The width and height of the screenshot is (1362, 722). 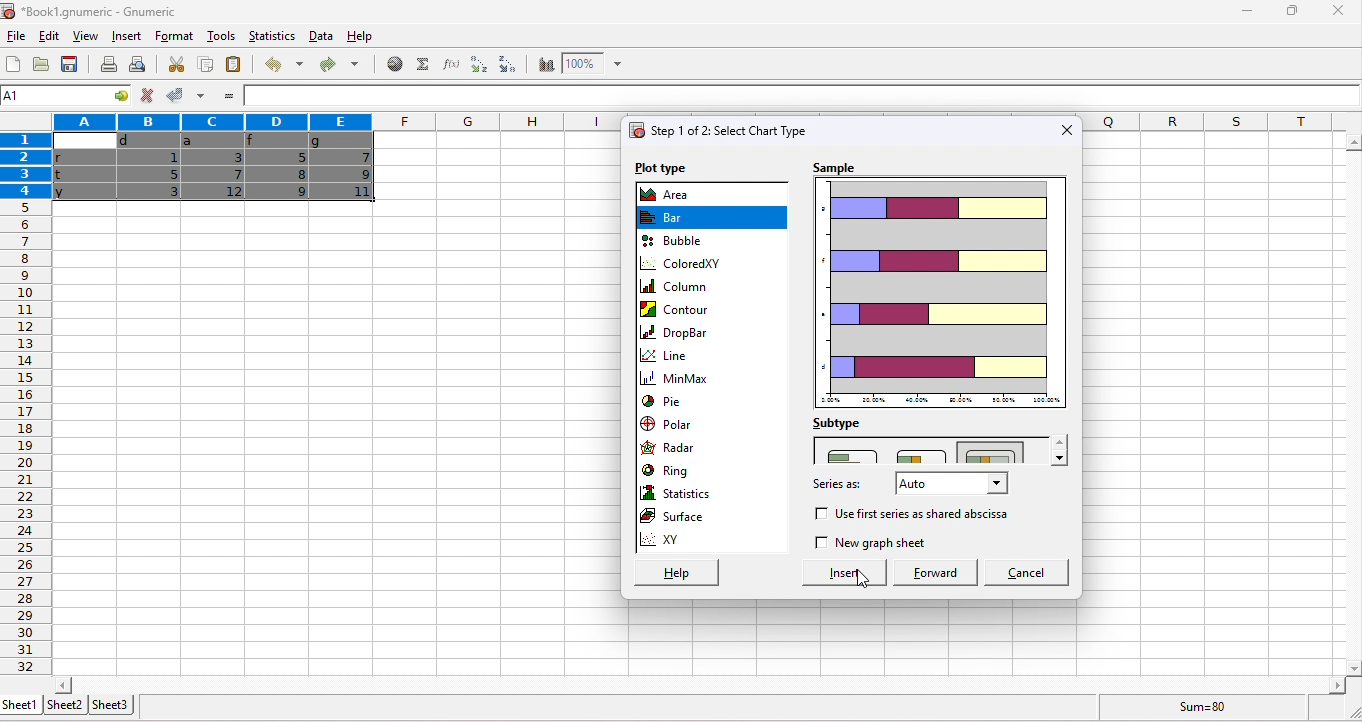 I want to click on cut, so click(x=179, y=64).